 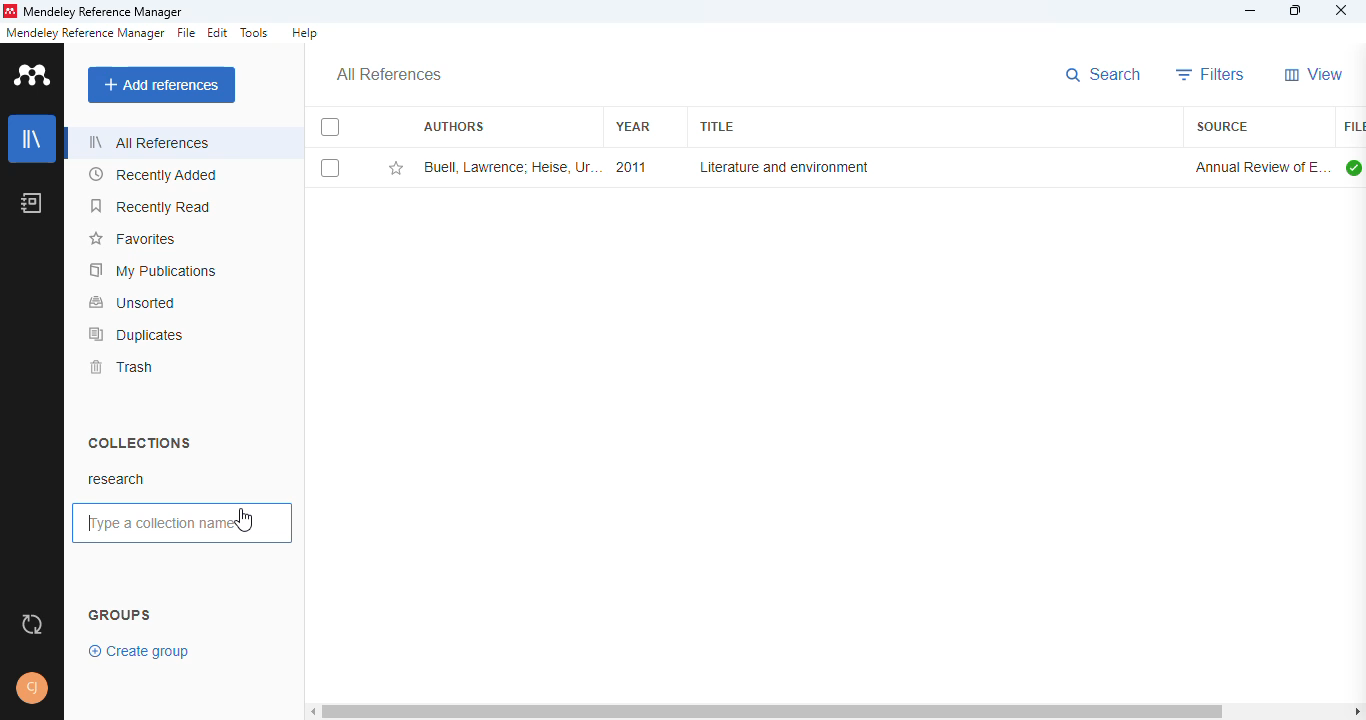 I want to click on unsorted, so click(x=134, y=303).